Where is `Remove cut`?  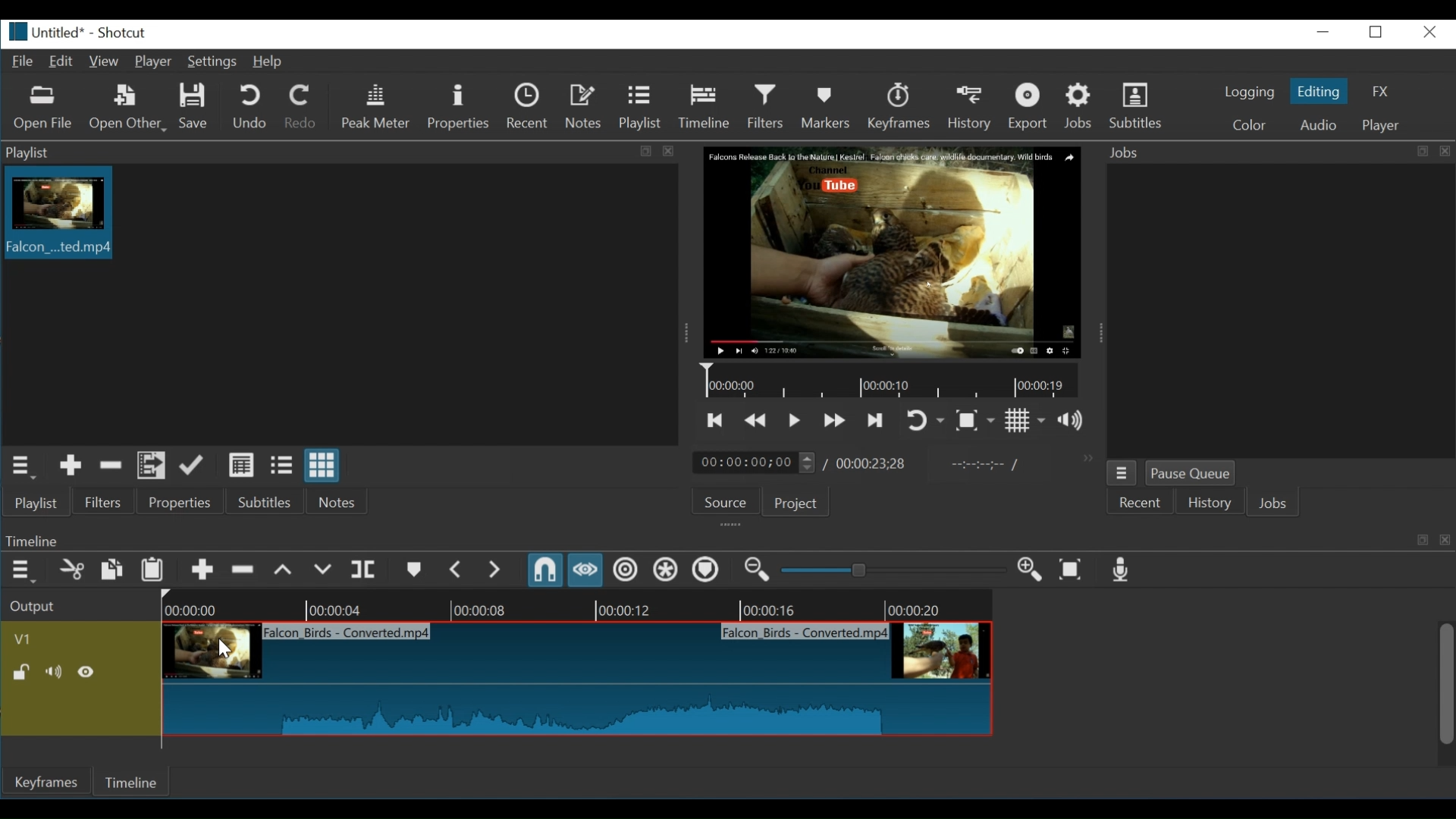
Remove cut is located at coordinates (111, 466).